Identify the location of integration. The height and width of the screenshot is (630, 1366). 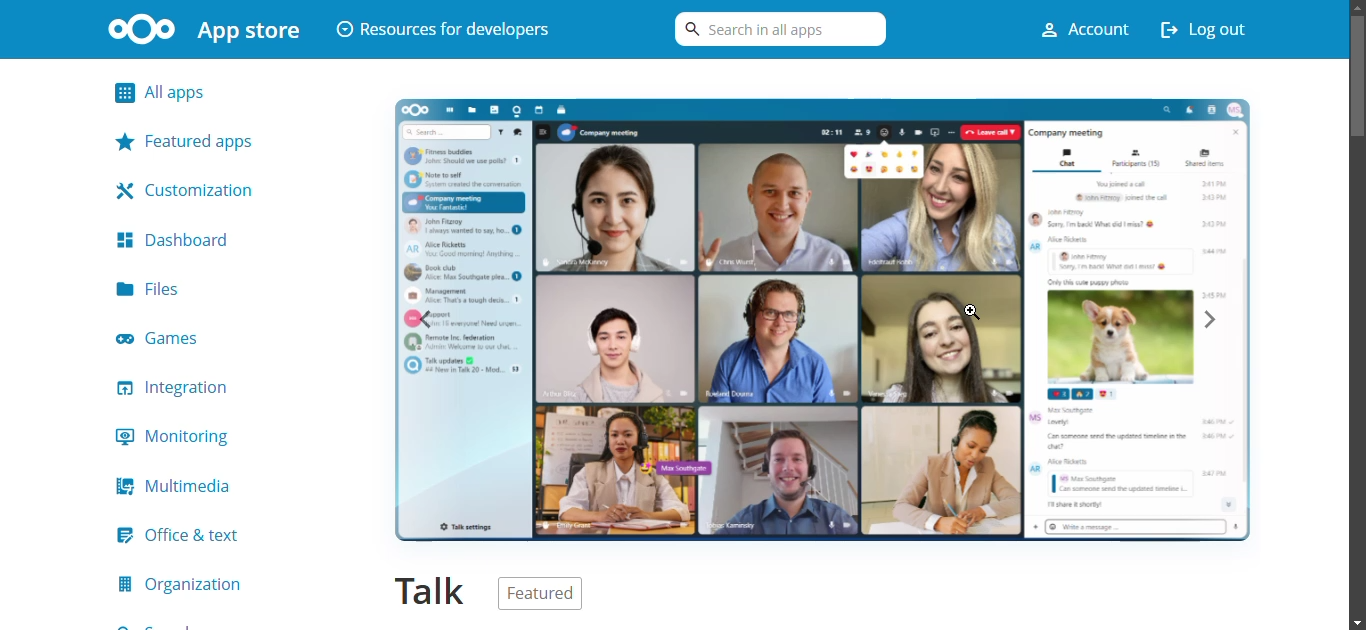
(182, 388).